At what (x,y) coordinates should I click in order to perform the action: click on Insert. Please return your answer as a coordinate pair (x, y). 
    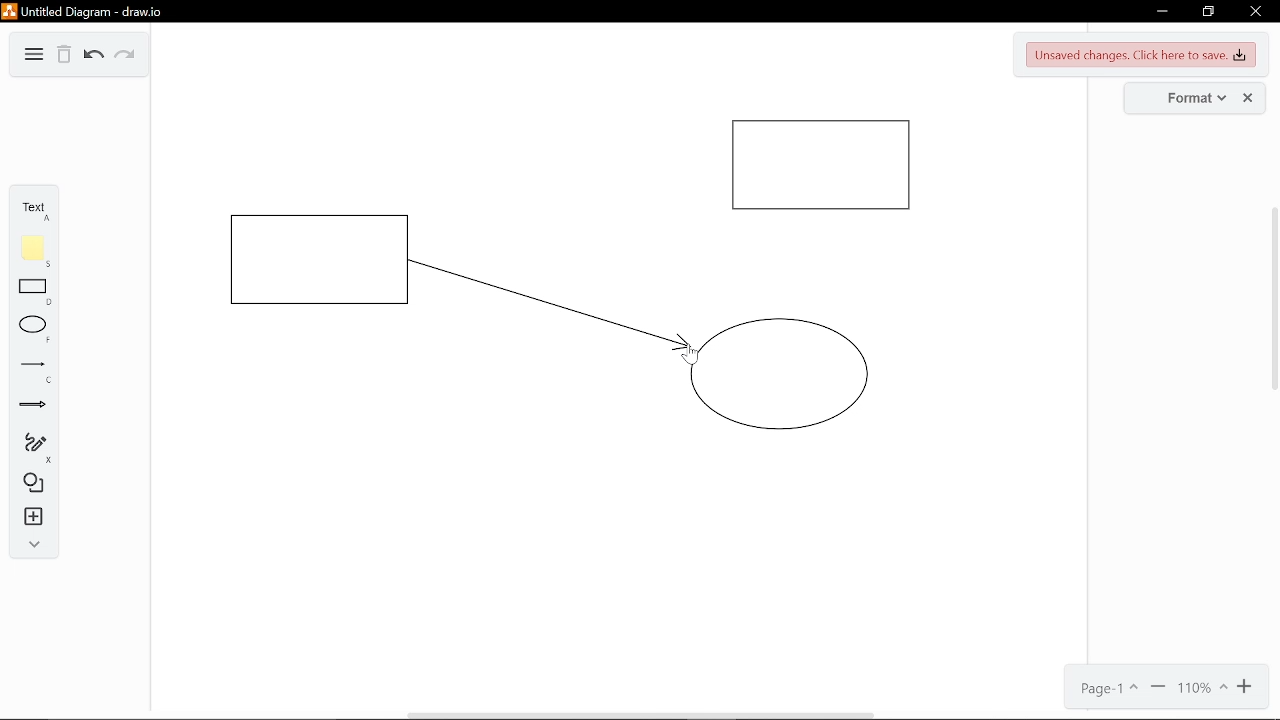
    Looking at the image, I should click on (31, 518).